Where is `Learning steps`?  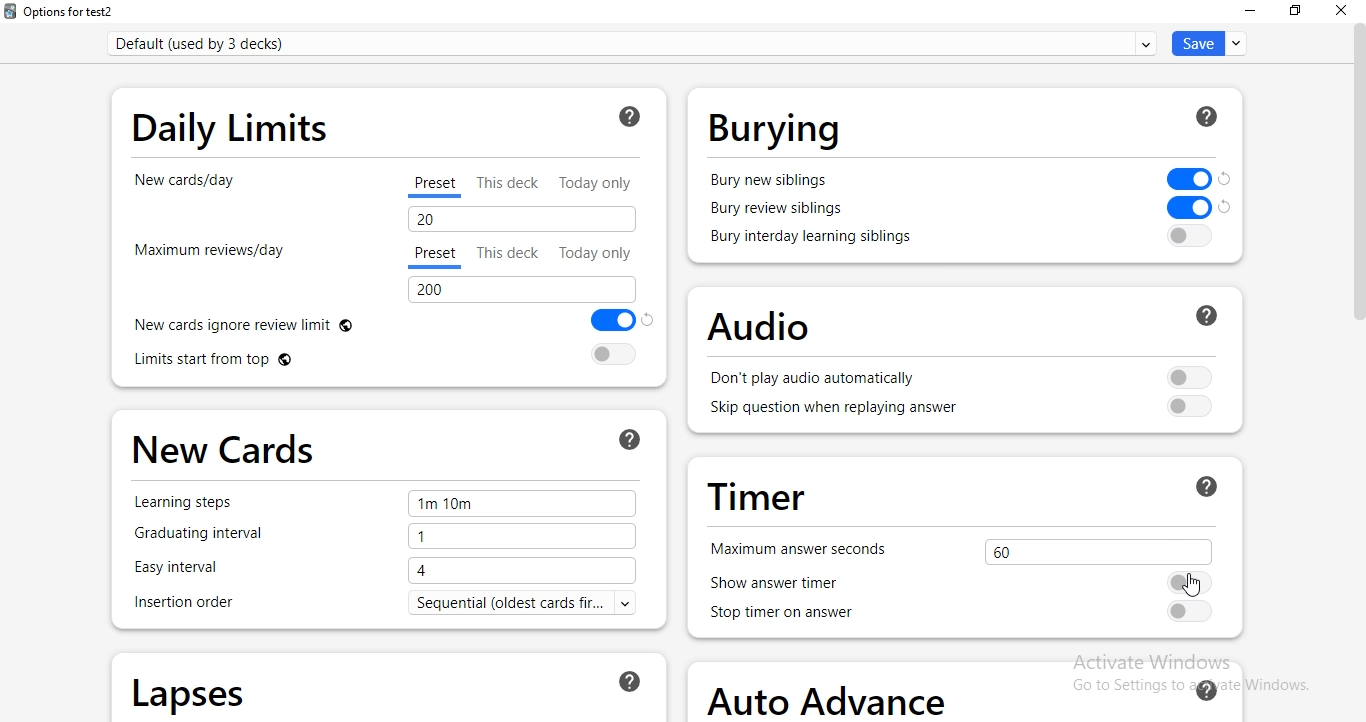 Learning steps is located at coordinates (182, 503).